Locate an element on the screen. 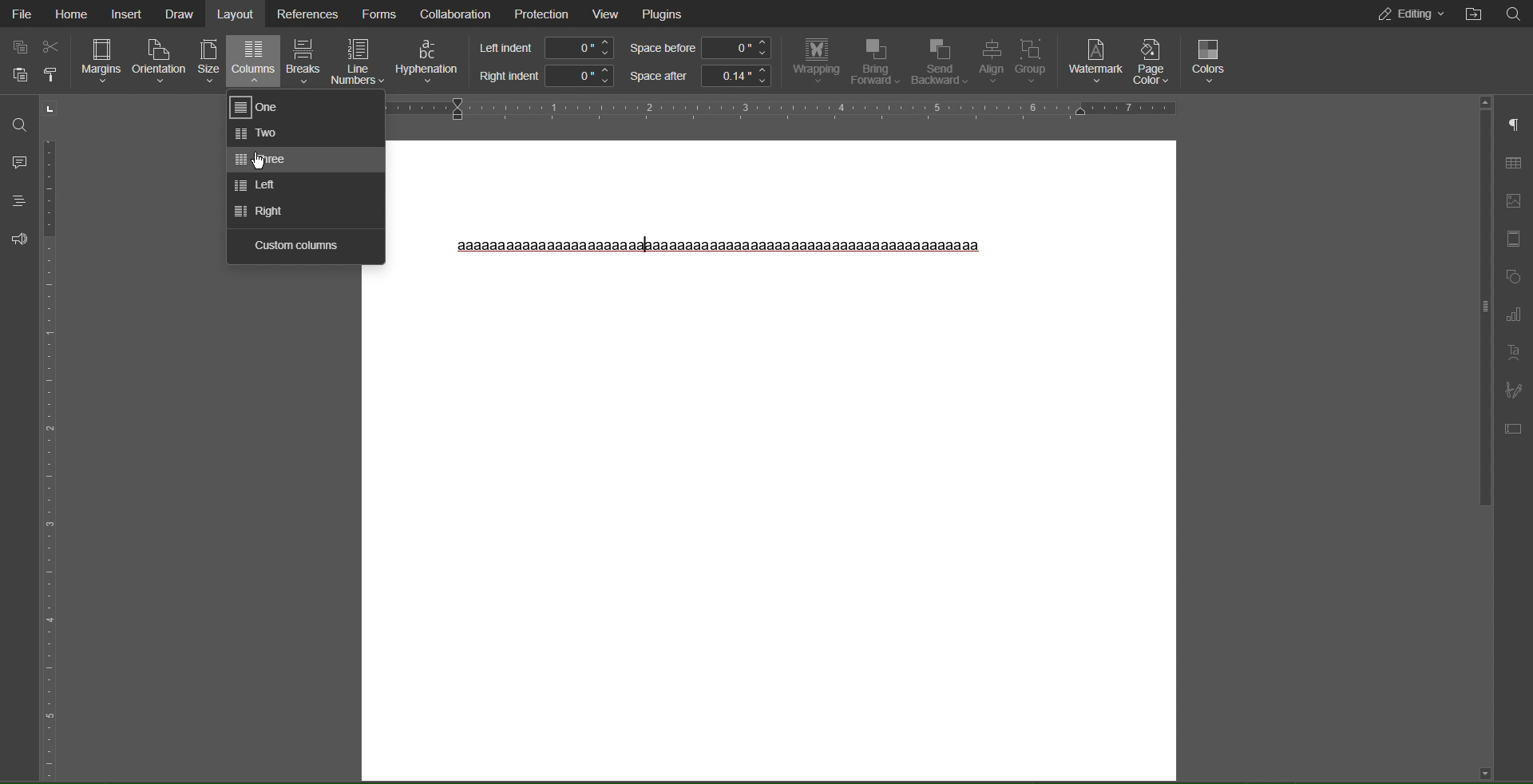  Breaks is located at coordinates (303, 62).